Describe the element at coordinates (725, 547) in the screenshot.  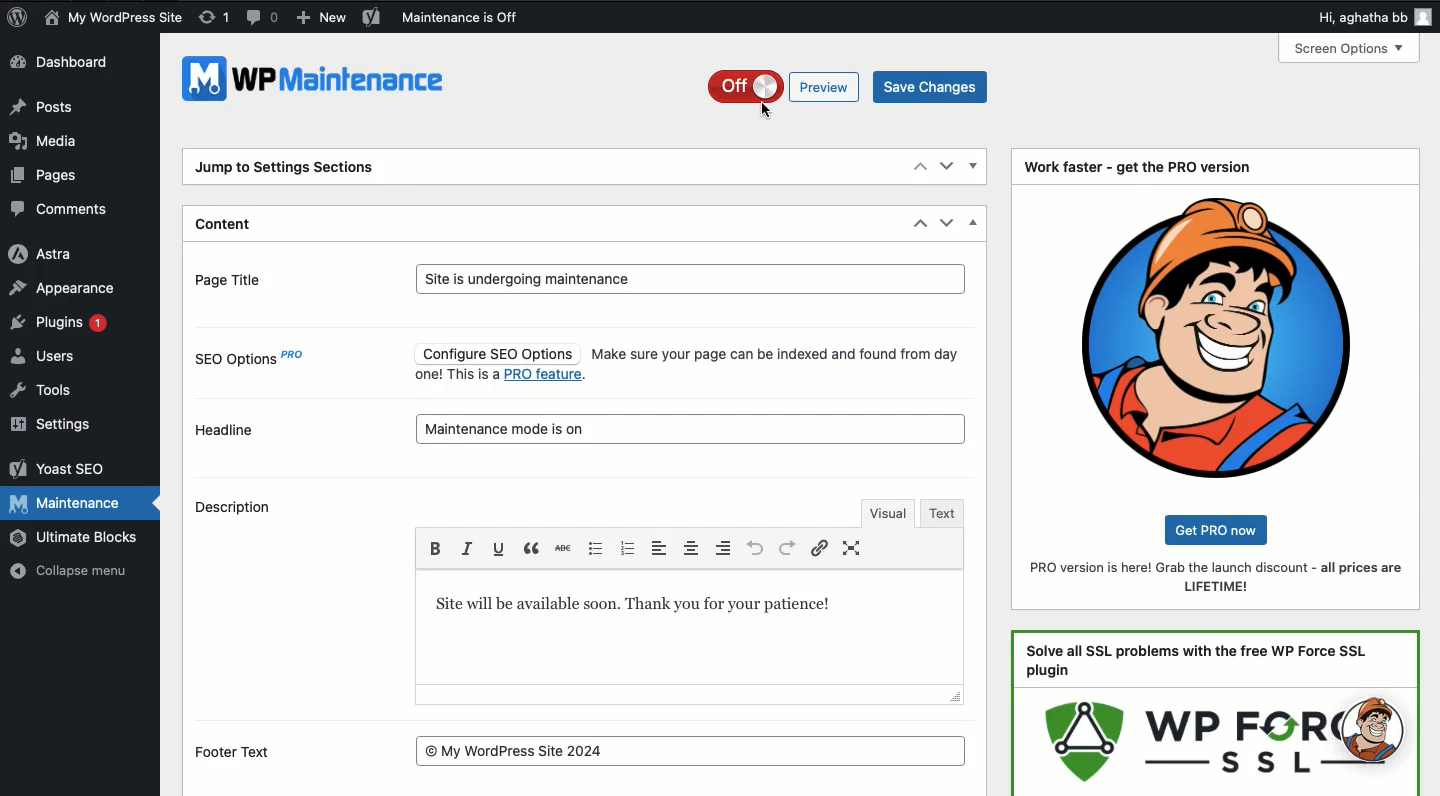
I see `Left aligned` at that location.